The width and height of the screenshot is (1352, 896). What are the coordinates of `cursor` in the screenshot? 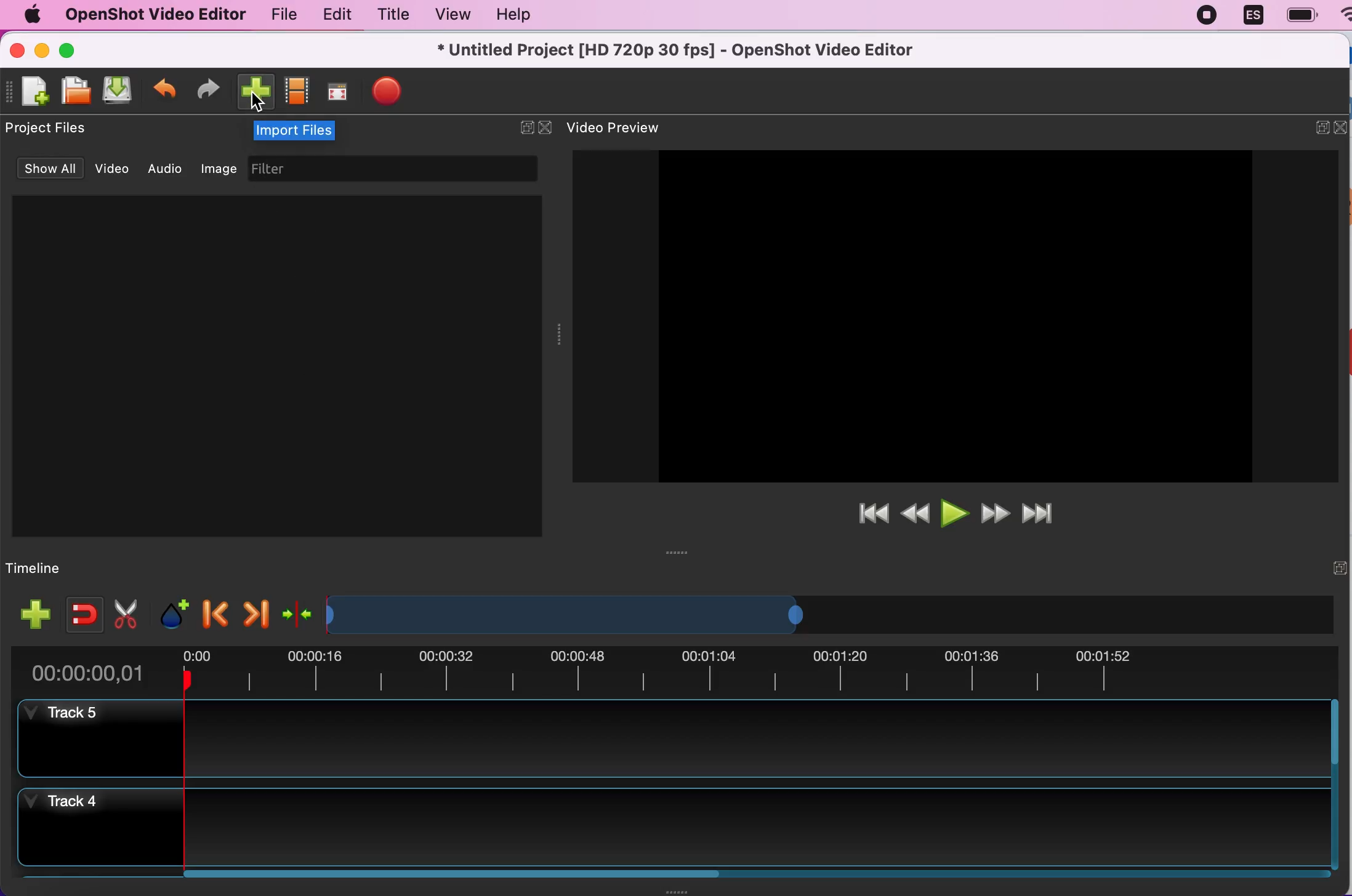 It's located at (259, 103).